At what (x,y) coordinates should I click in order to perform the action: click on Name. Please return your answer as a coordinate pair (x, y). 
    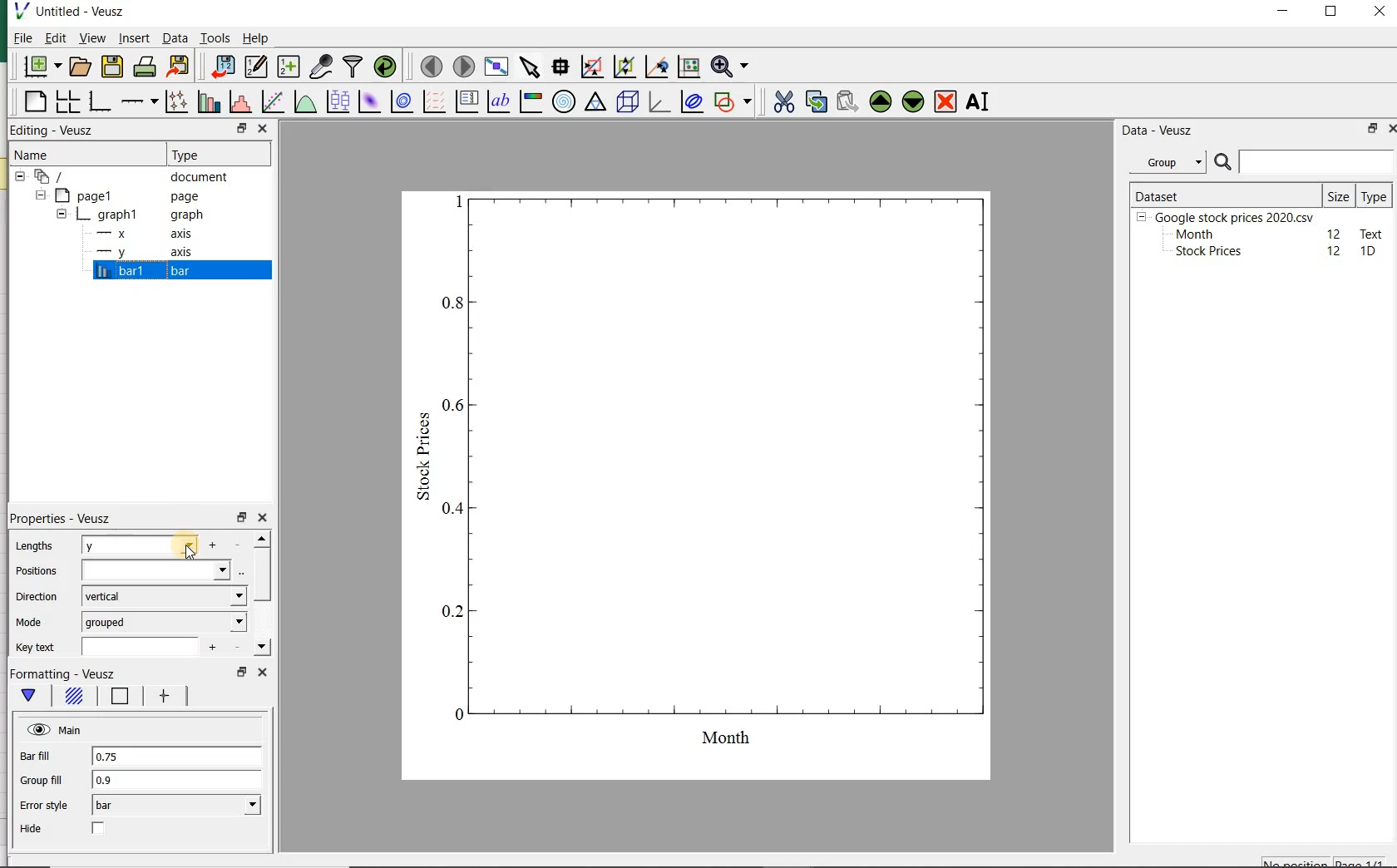
    Looking at the image, I should click on (42, 155).